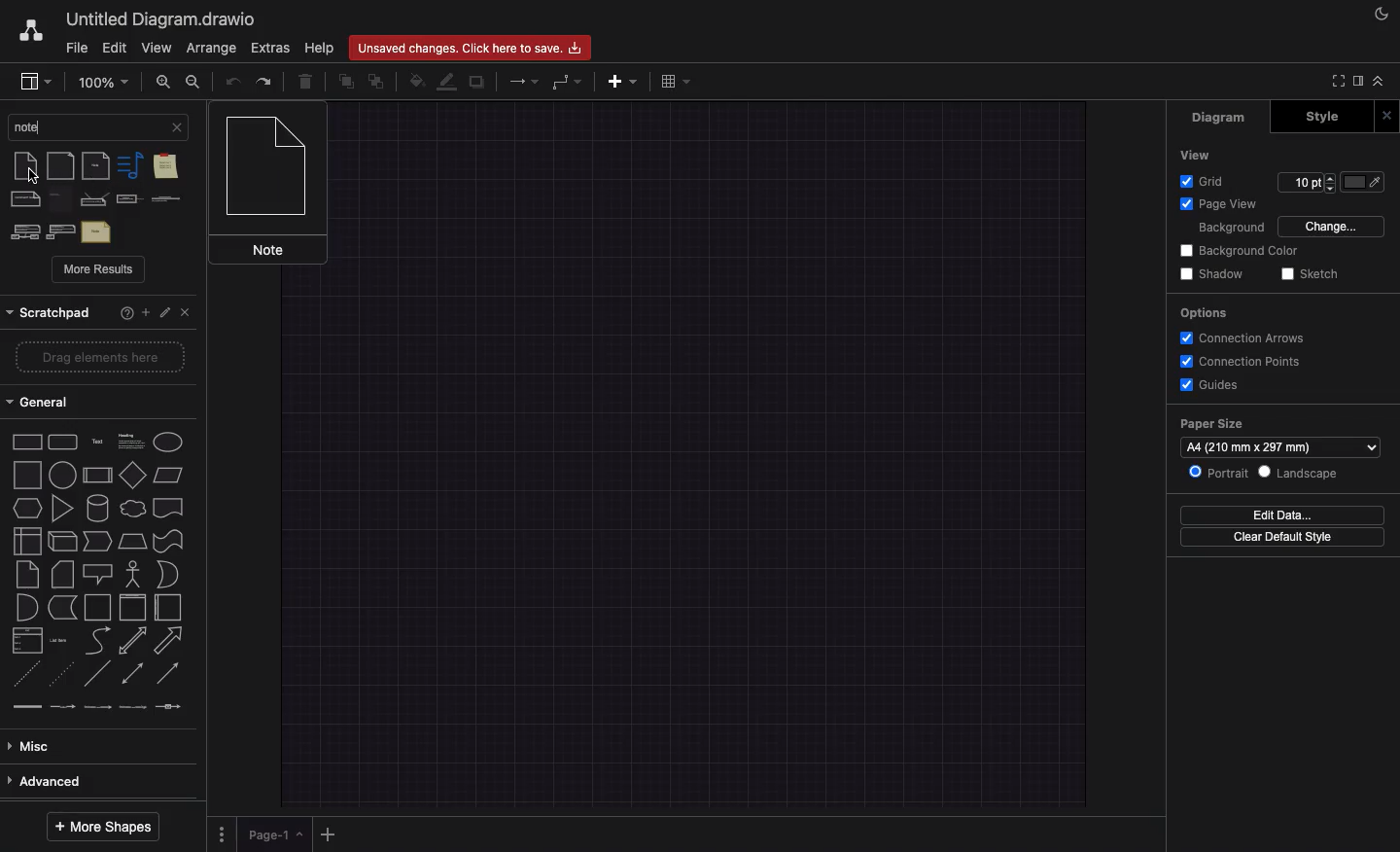 The height and width of the screenshot is (852, 1400). Describe the element at coordinates (1342, 82) in the screenshot. I see `Full screen` at that location.